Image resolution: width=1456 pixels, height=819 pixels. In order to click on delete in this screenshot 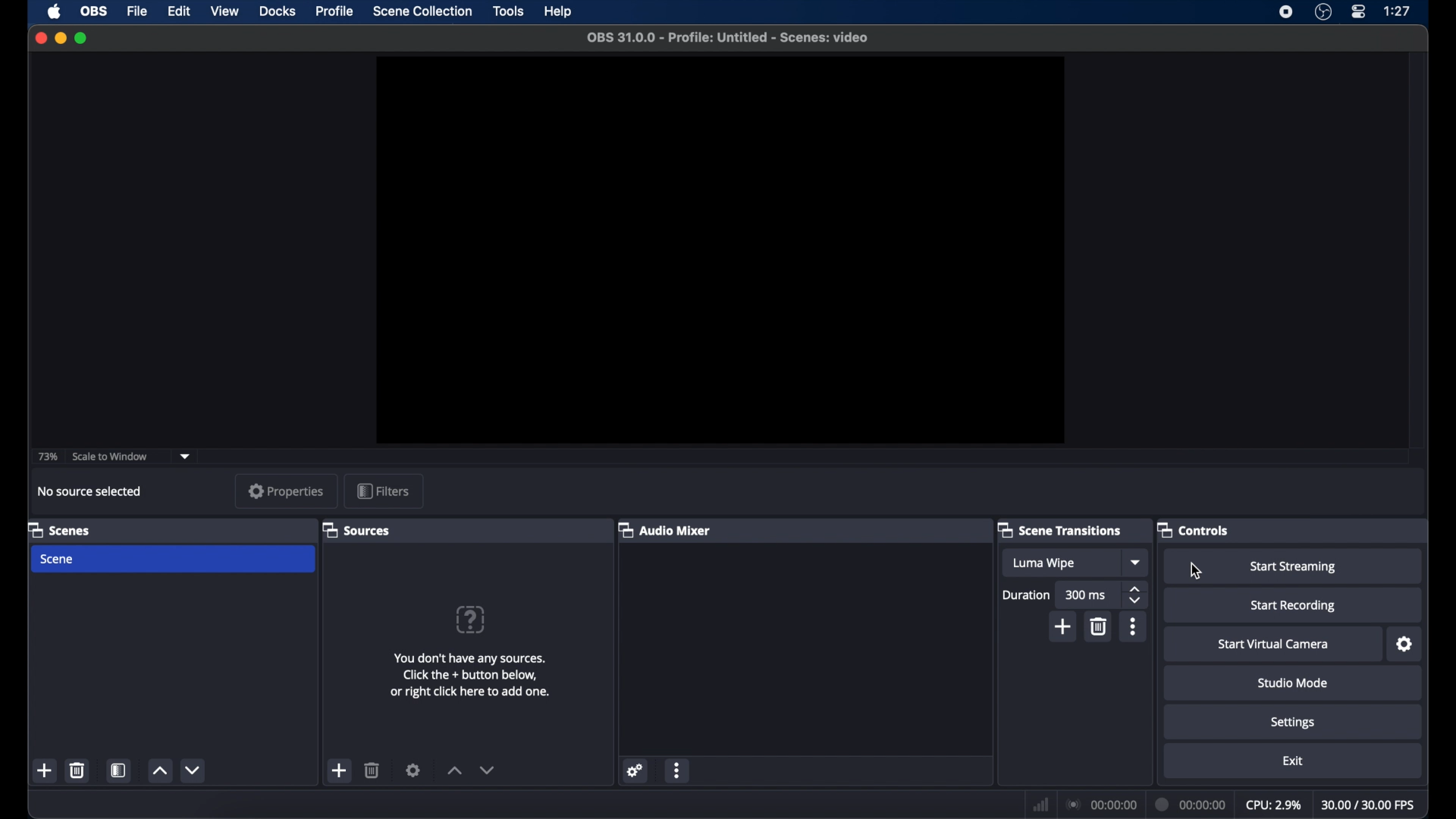, I will do `click(1101, 626)`.